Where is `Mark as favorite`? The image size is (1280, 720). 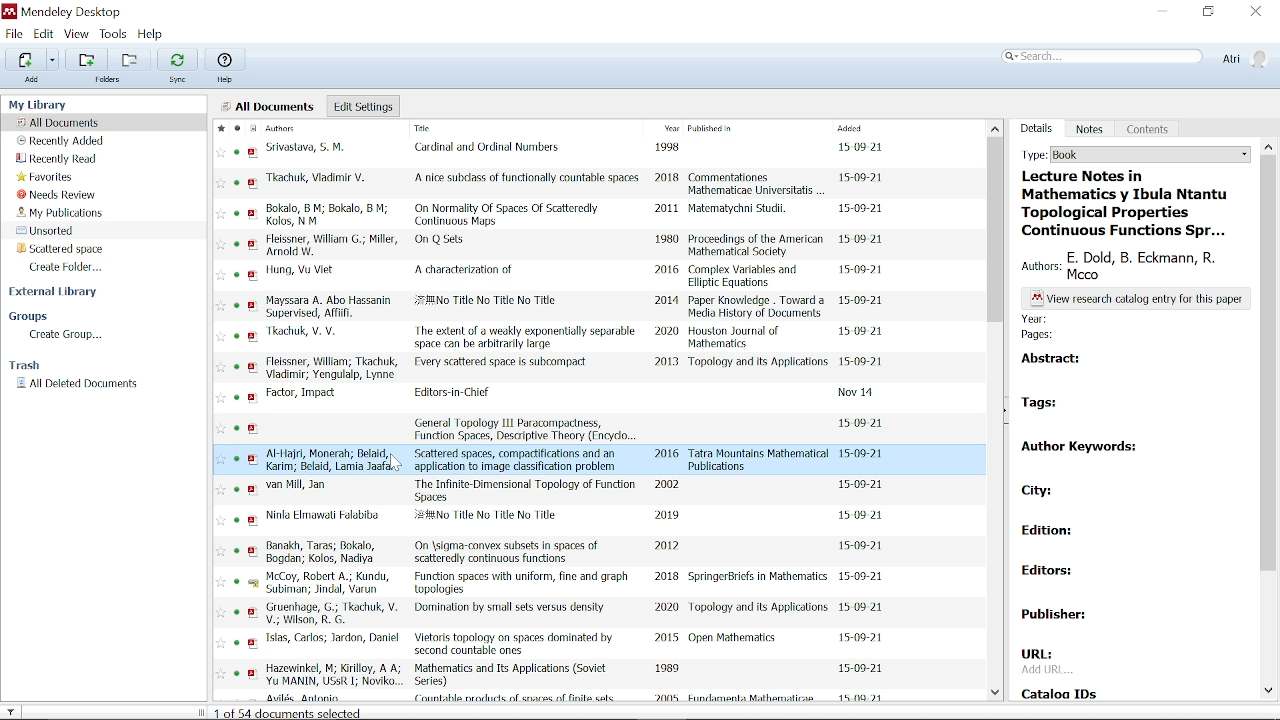 Mark as favorite is located at coordinates (219, 128).